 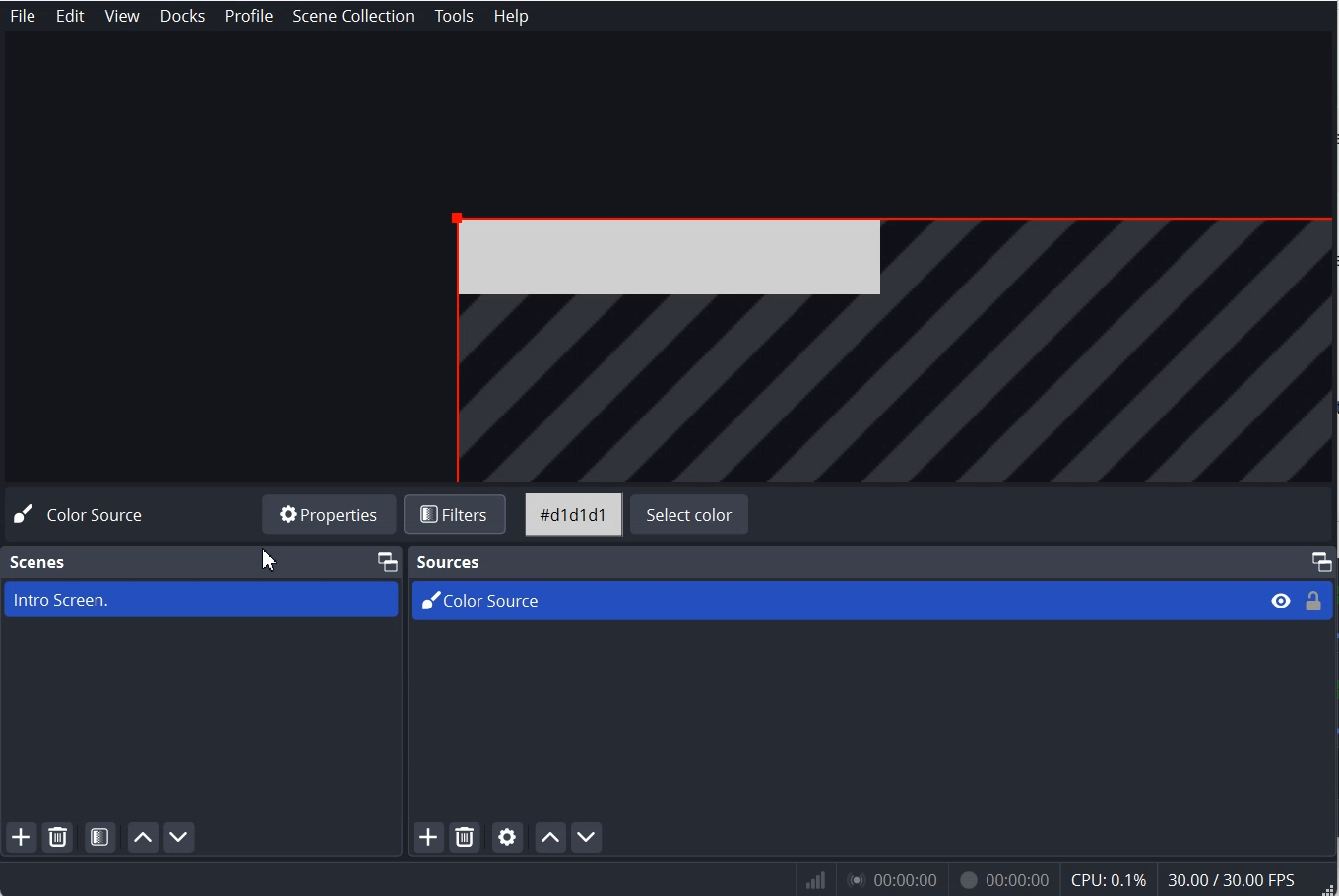 I want to click on Remove Selected Scene, so click(x=61, y=839).